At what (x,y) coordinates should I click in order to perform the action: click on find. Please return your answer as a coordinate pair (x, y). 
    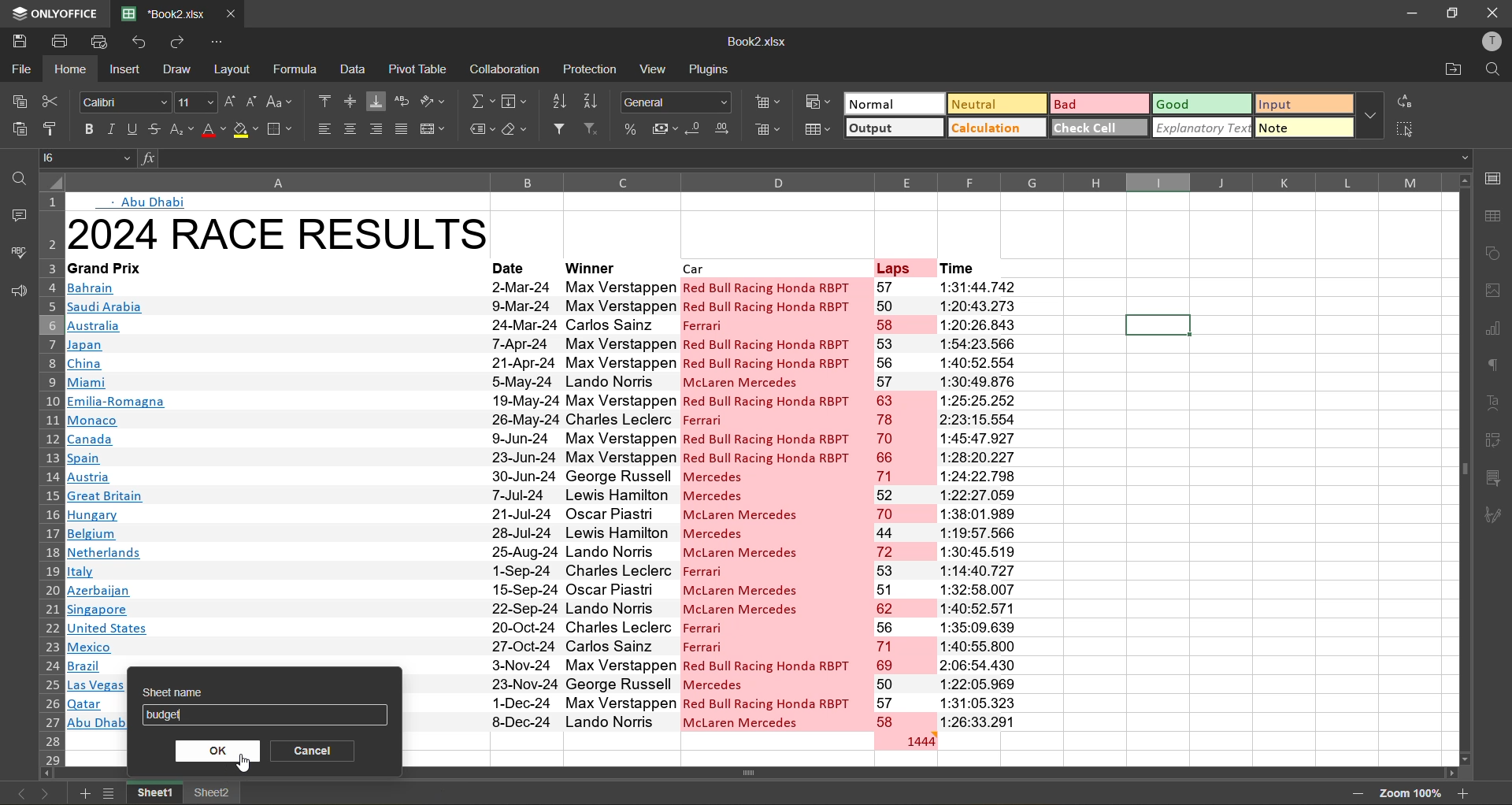
    Looking at the image, I should click on (16, 173).